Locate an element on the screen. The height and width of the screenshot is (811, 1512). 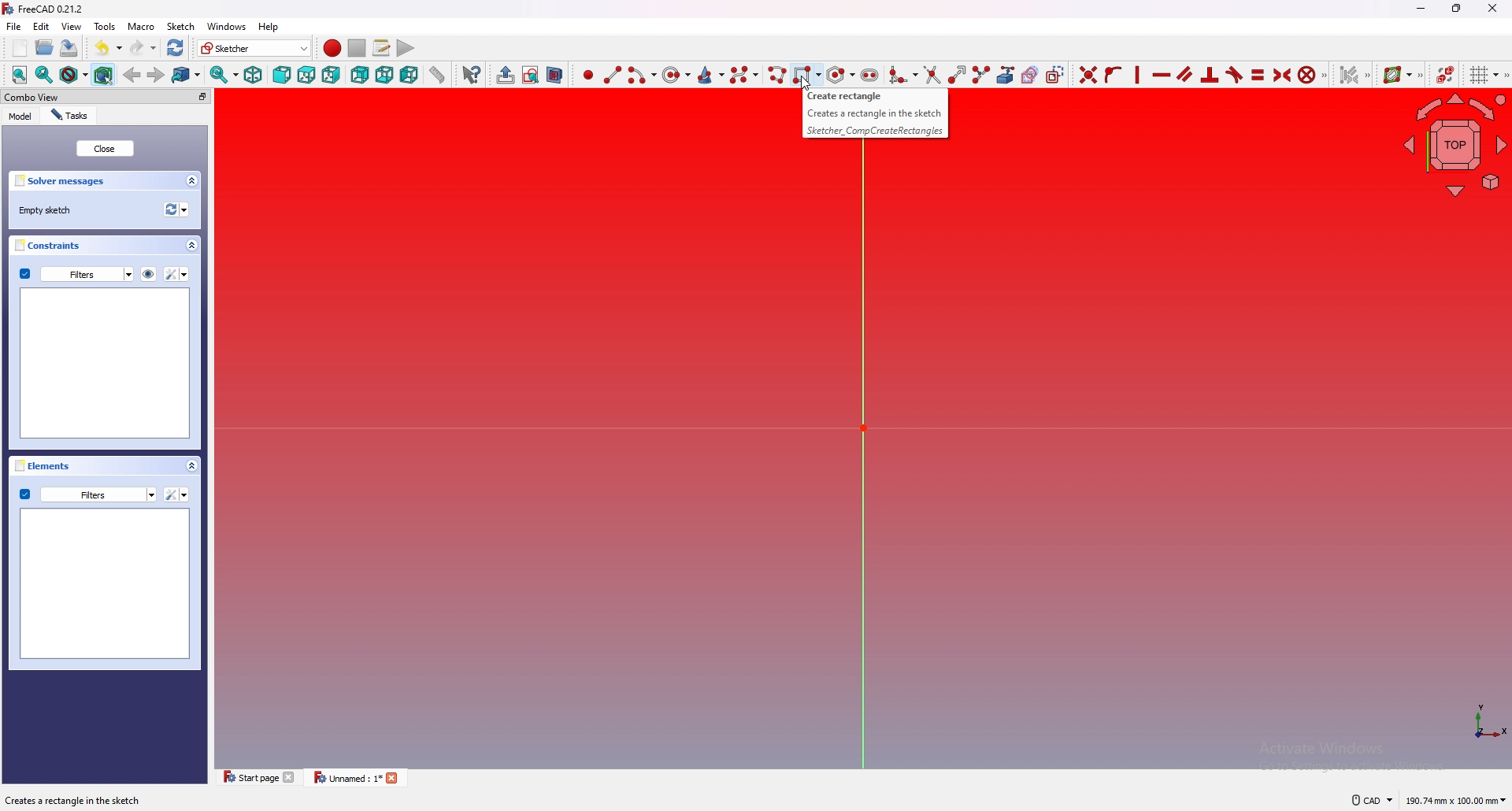
collapse is located at coordinates (191, 181).